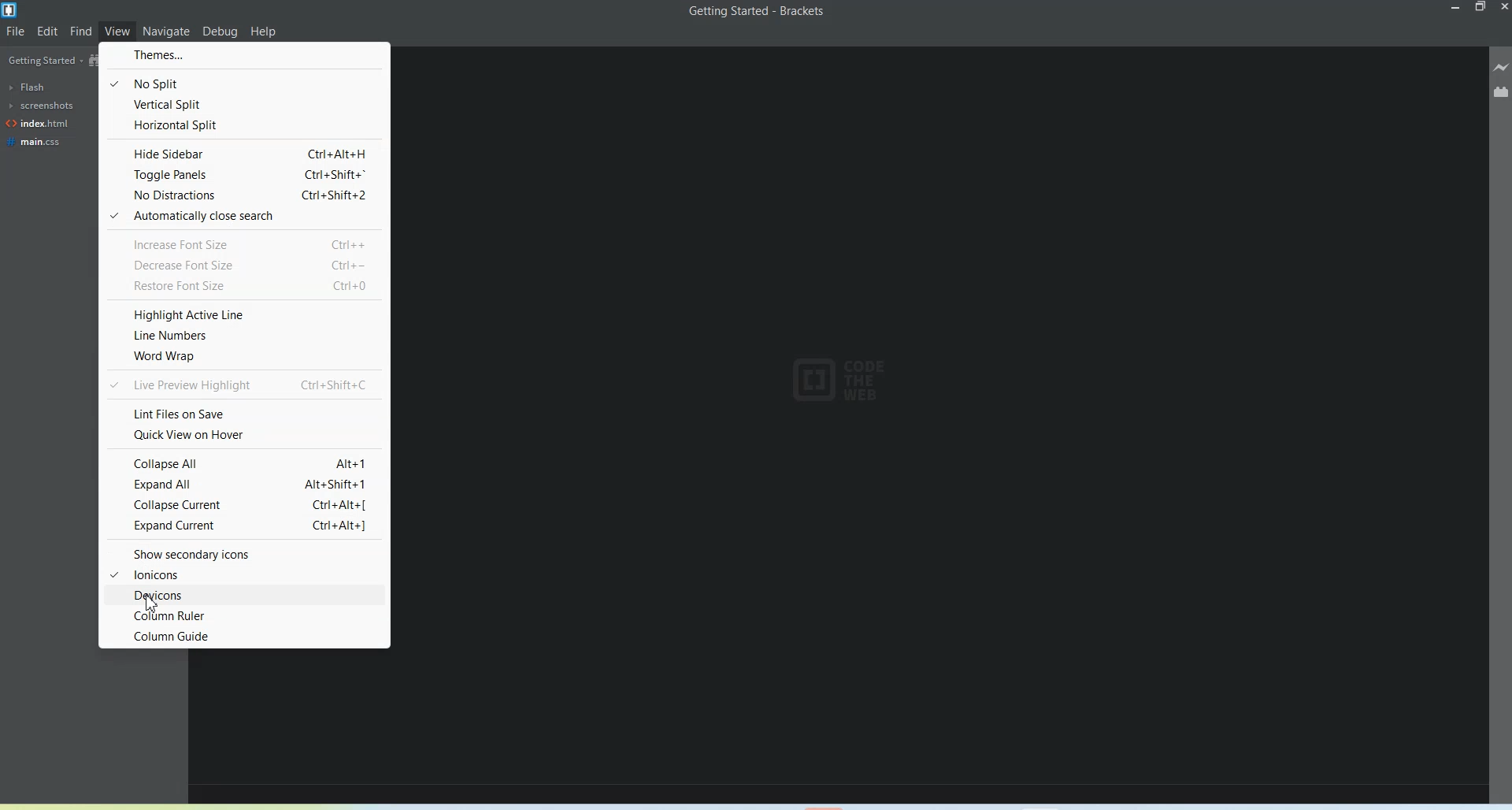  Describe the element at coordinates (245, 636) in the screenshot. I see `Column Guide` at that location.